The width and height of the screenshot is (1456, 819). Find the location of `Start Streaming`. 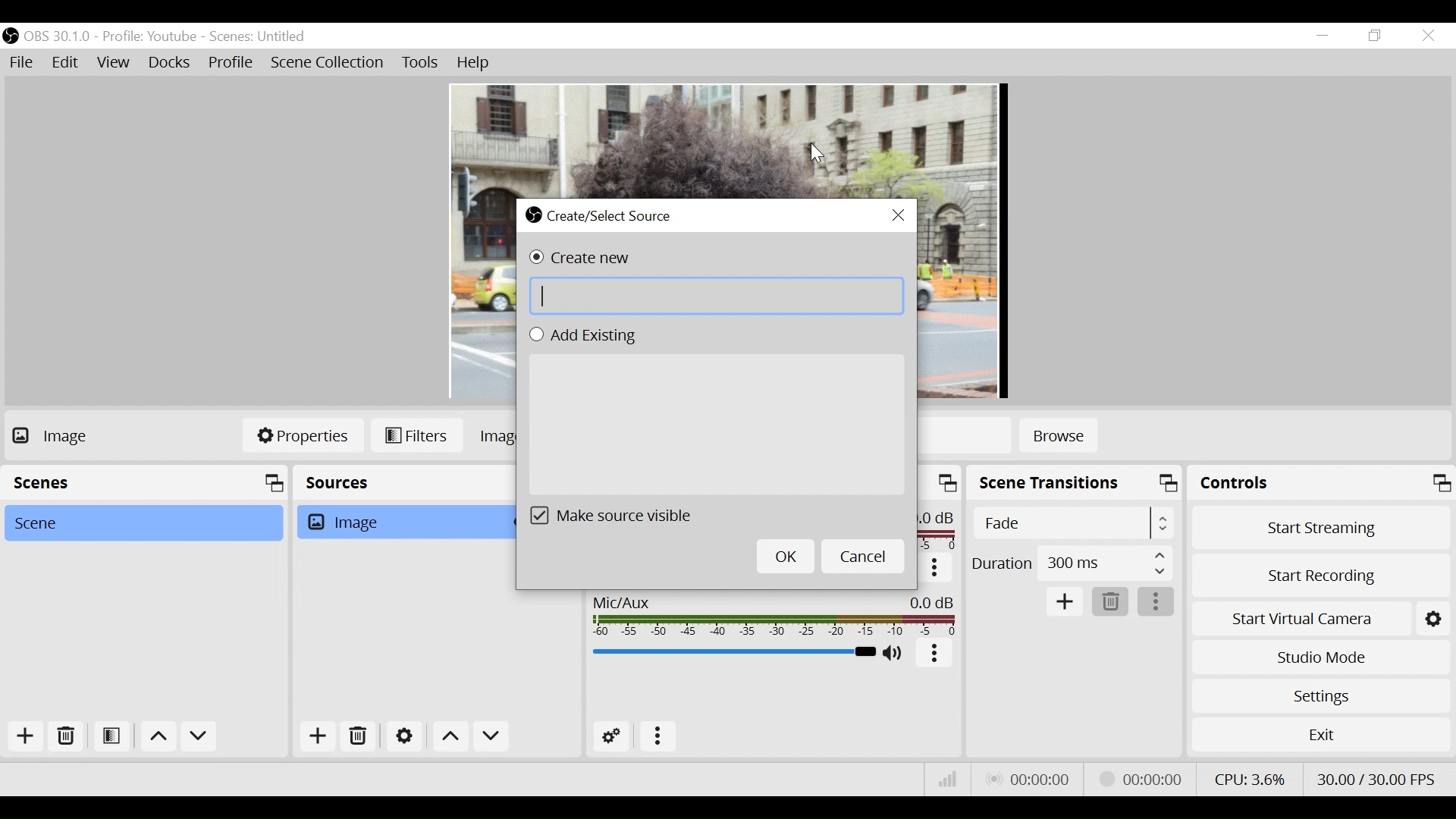

Start Streaming is located at coordinates (1320, 529).